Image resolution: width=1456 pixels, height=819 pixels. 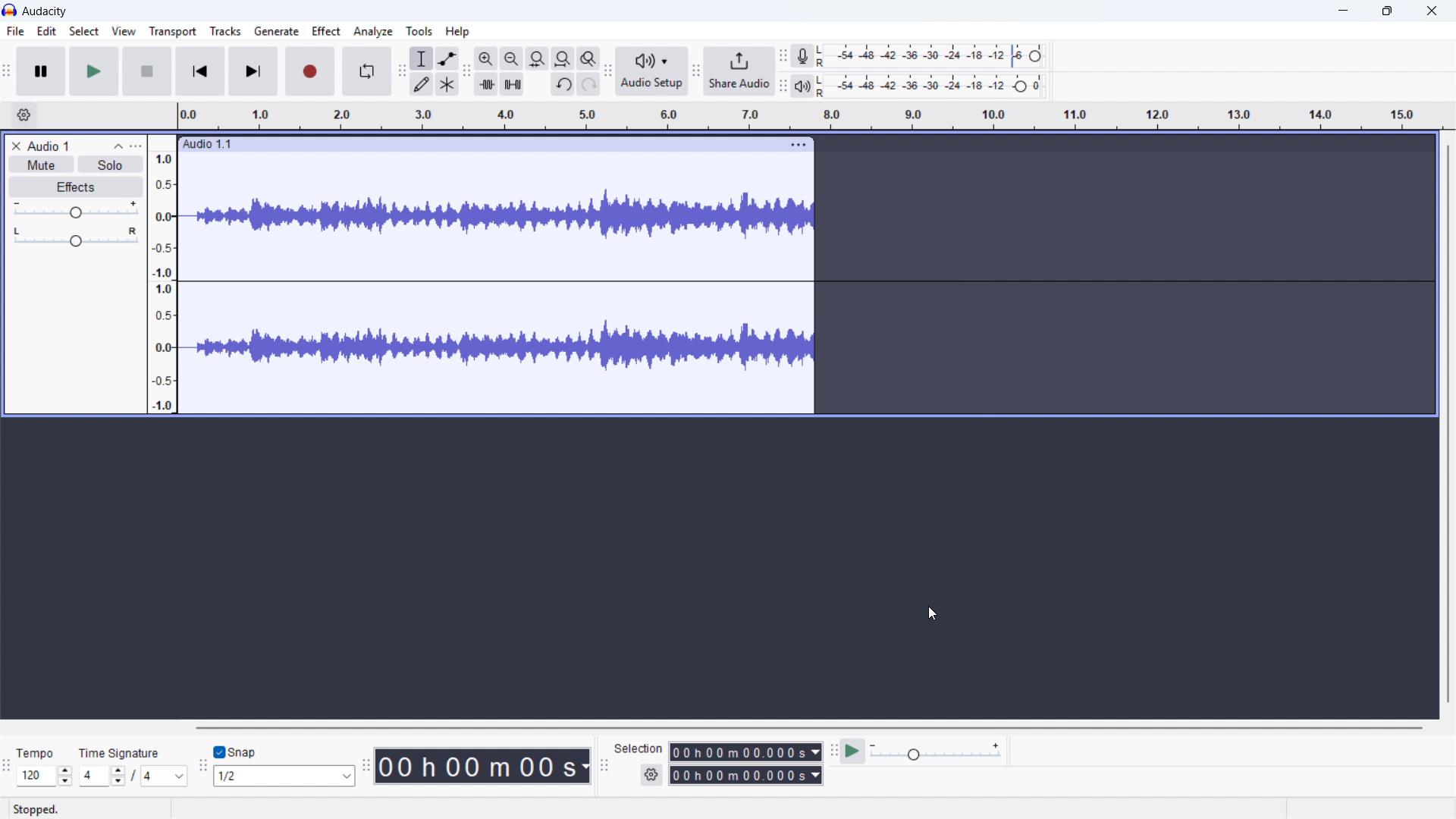 I want to click on /, so click(x=135, y=775).